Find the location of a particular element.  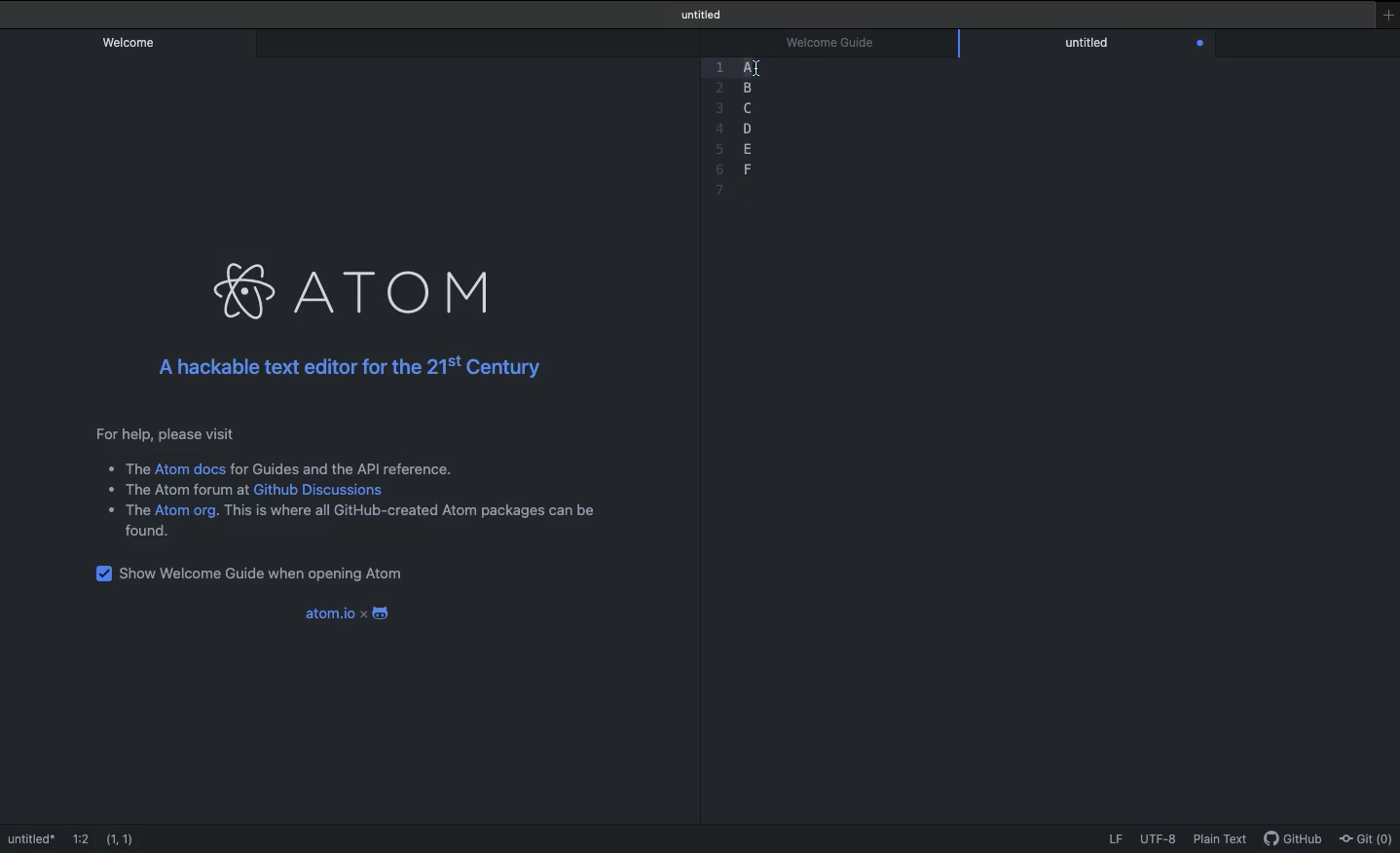

Instructional text is located at coordinates (341, 483).